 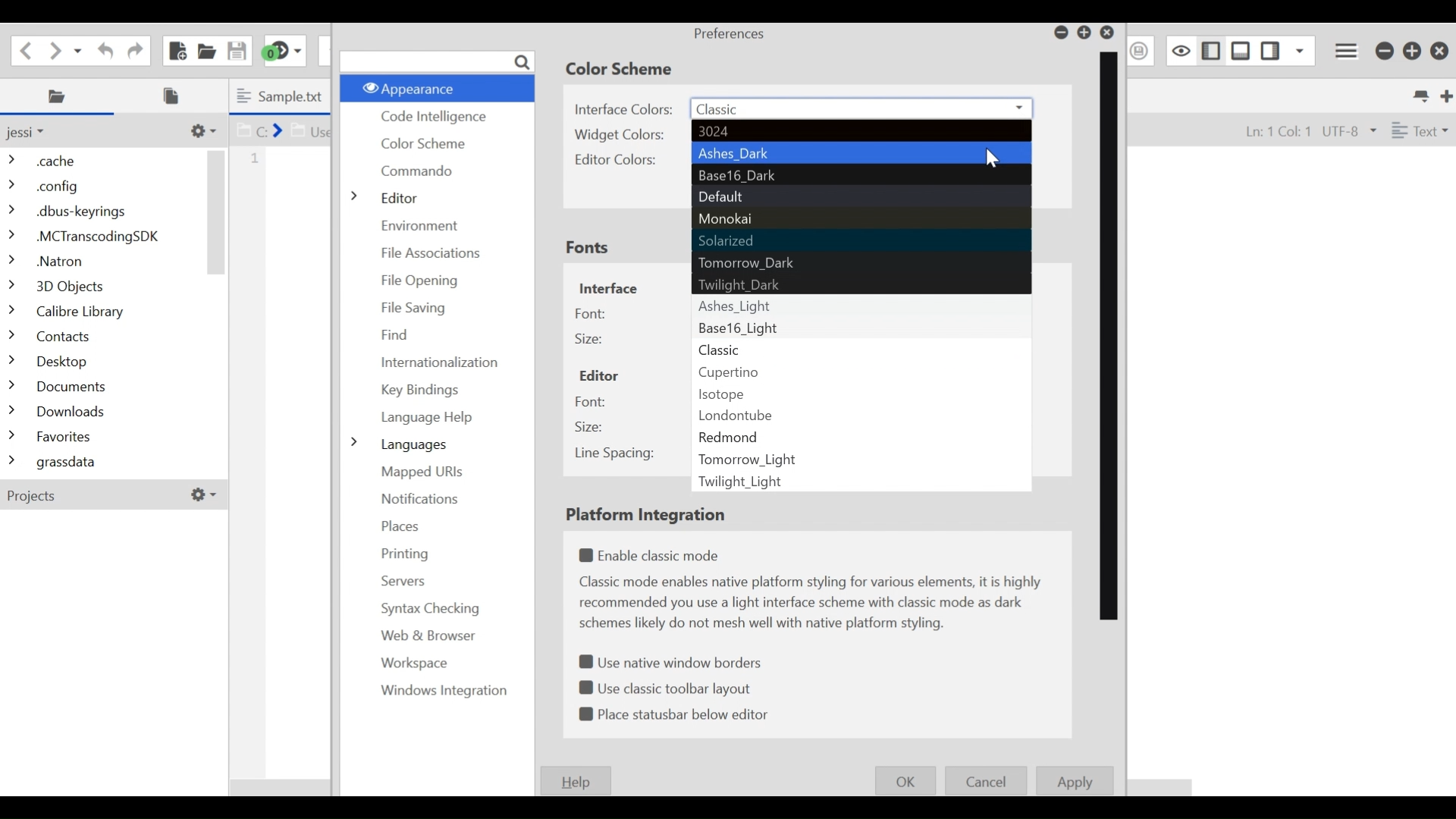 What do you see at coordinates (1209, 49) in the screenshot?
I see `Show/Hide Right pane` at bounding box center [1209, 49].